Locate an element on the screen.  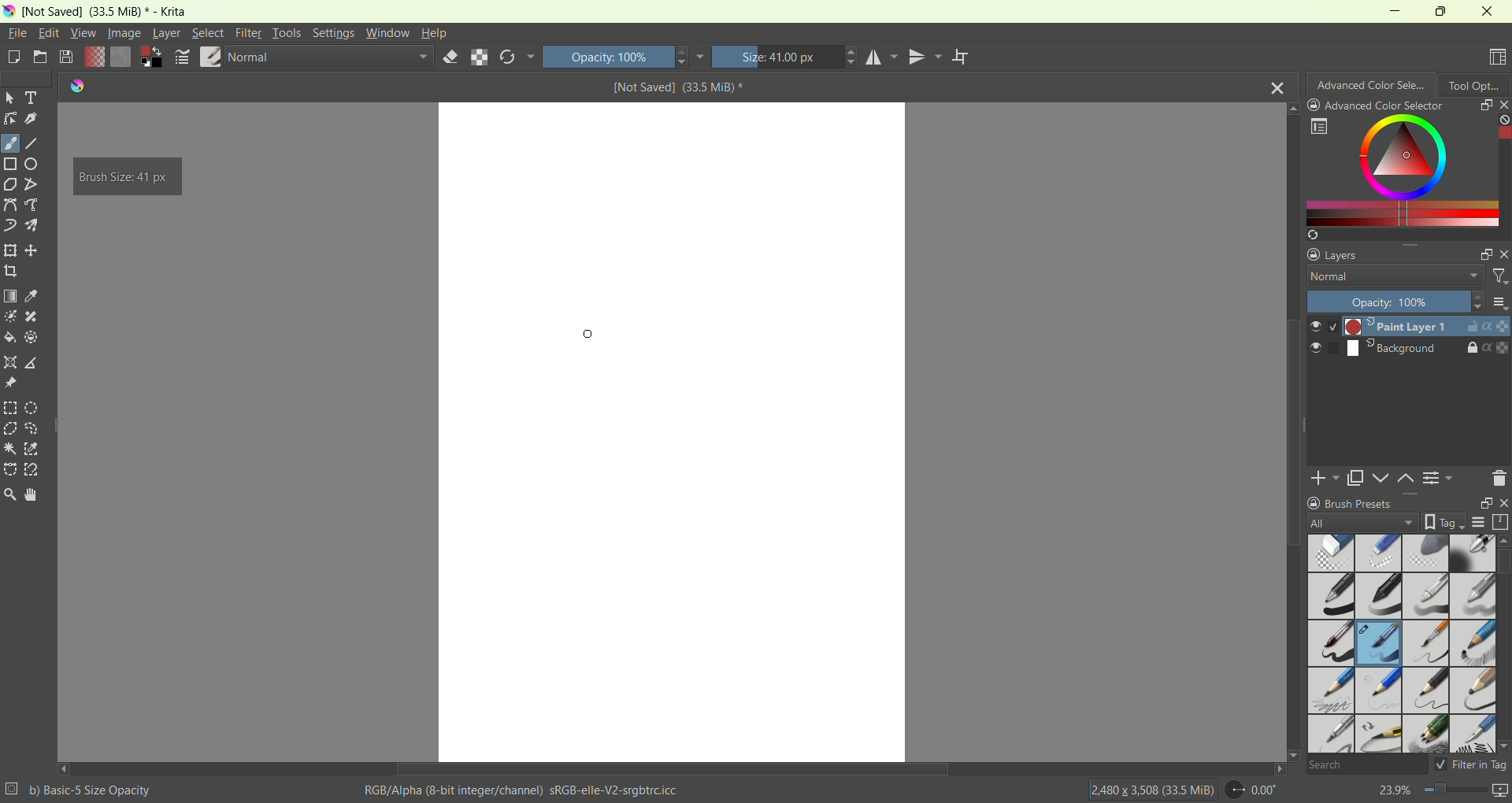
reload is located at coordinates (517, 57).